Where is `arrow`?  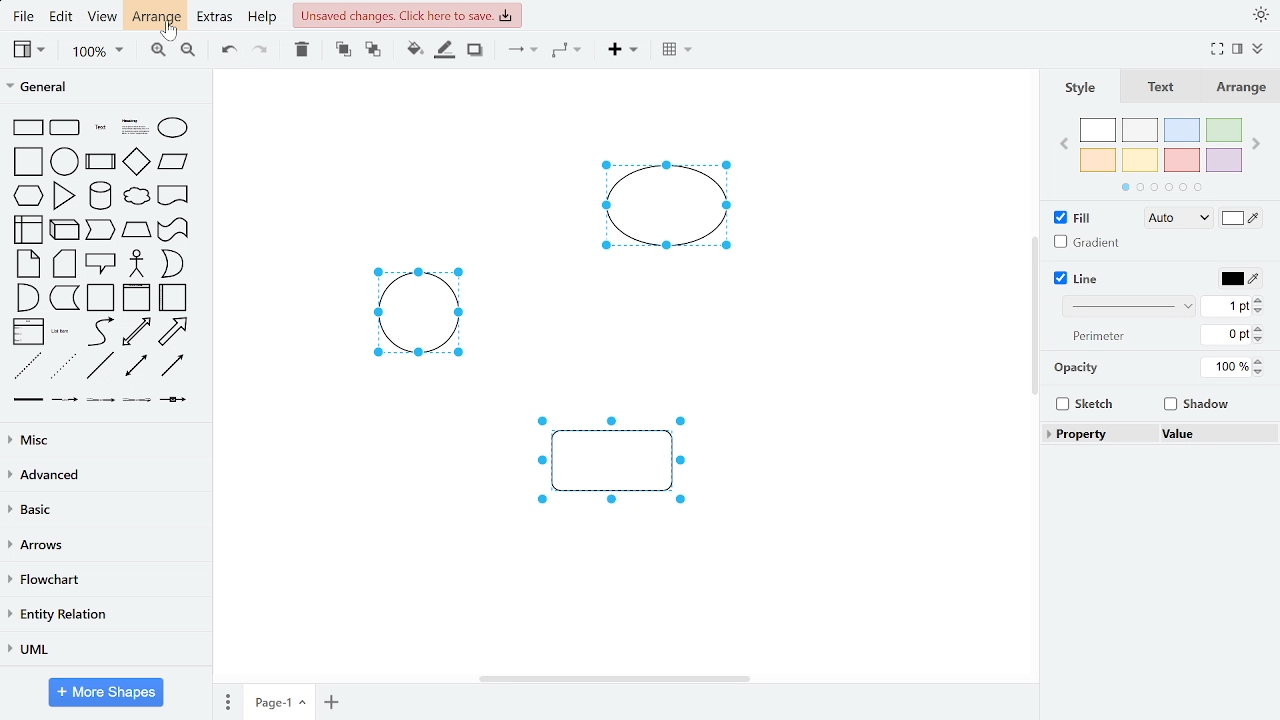
arrow is located at coordinates (174, 332).